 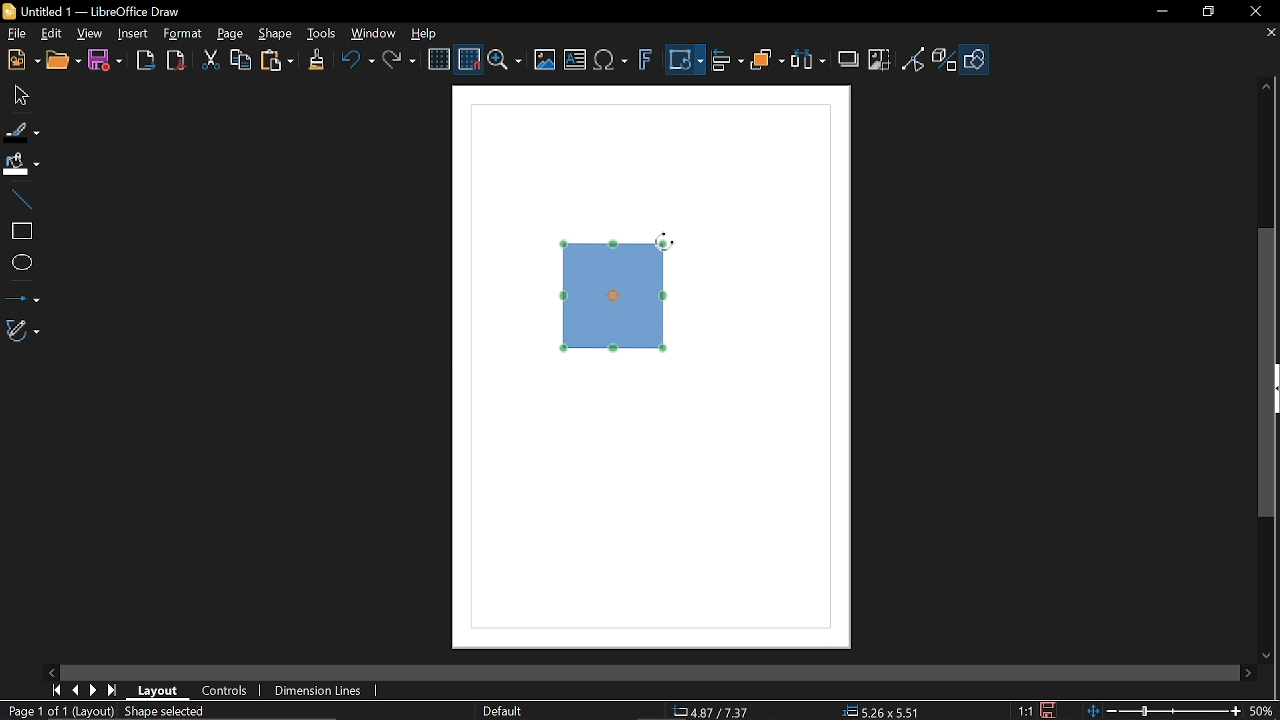 I want to click on Arrange, so click(x=767, y=62).